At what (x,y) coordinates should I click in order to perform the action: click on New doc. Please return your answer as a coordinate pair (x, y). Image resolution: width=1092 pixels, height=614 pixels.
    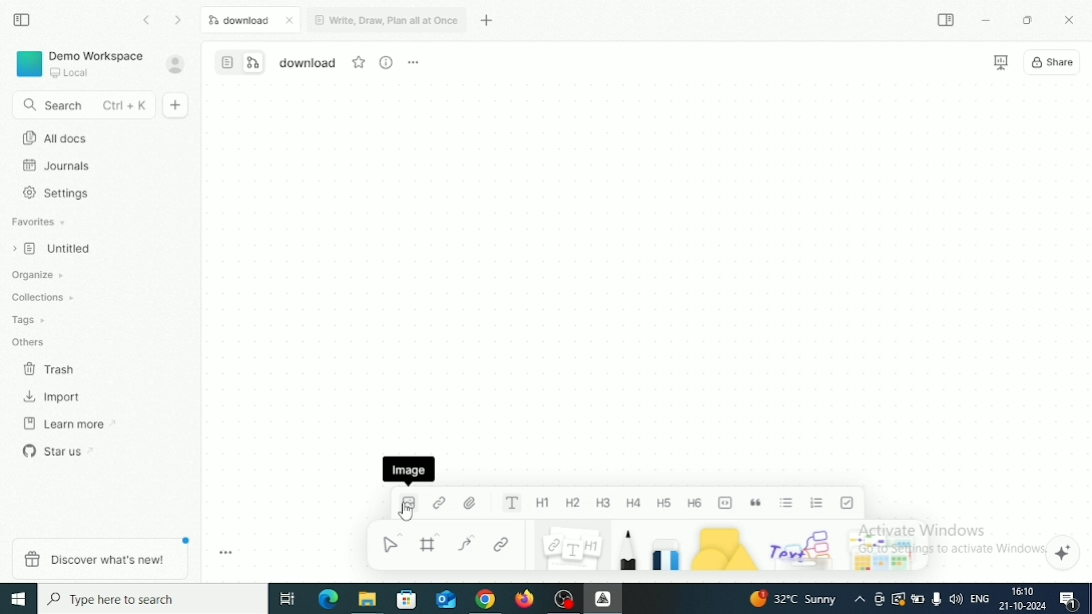
    Looking at the image, I should click on (178, 106).